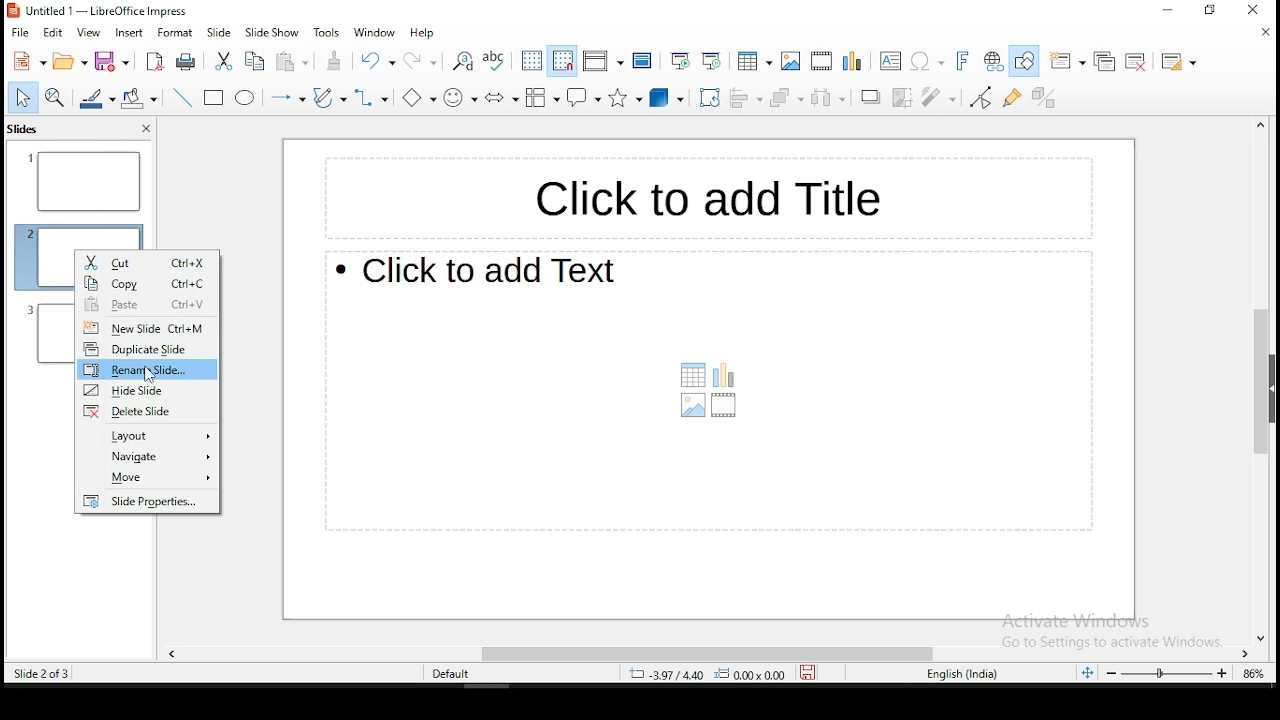 This screenshot has height=720, width=1280. Describe the element at coordinates (21, 32) in the screenshot. I see `file` at that location.